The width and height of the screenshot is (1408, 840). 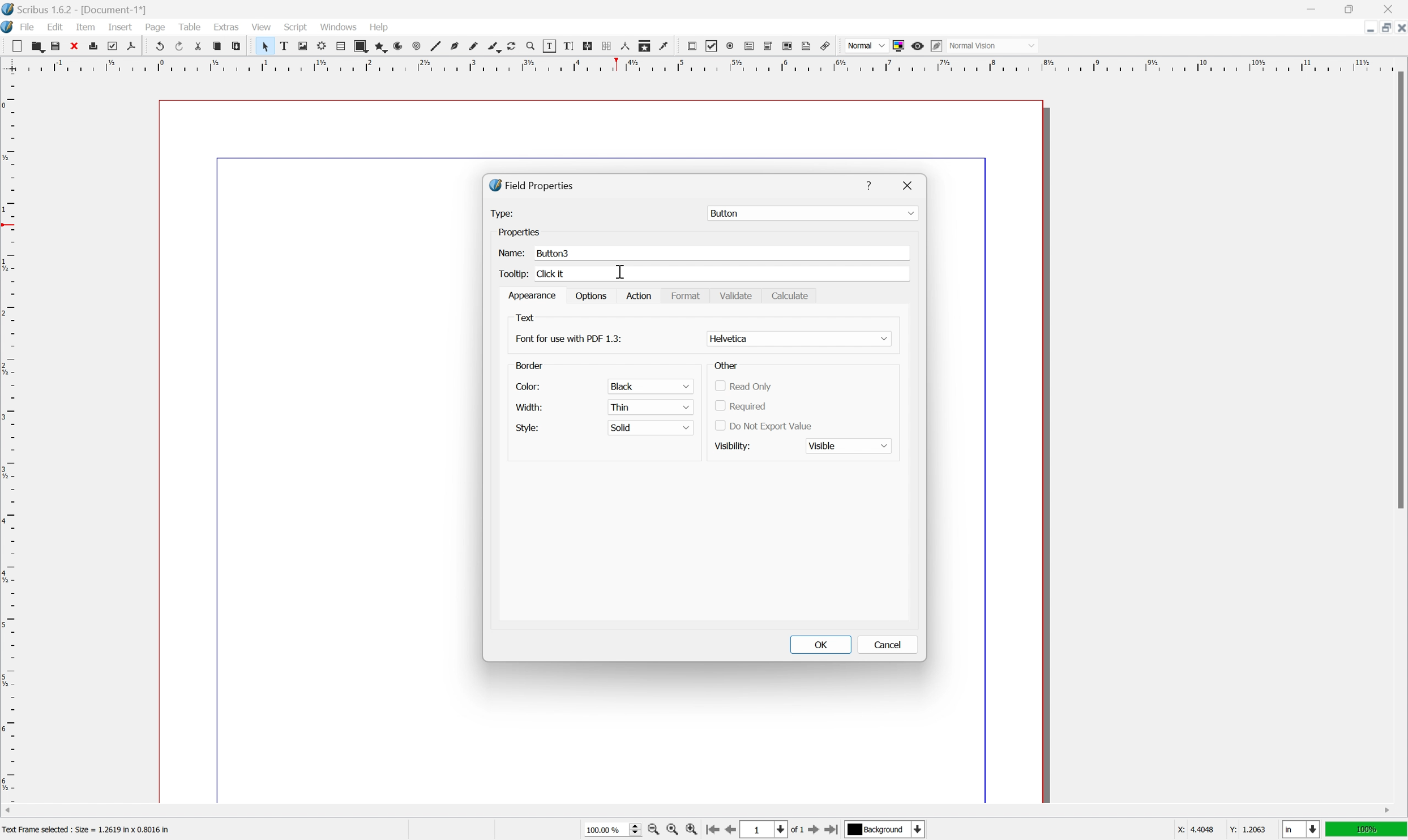 What do you see at coordinates (532, 183) in the screenshot?
I see `Field Properties` at bounding box center [532, 183].